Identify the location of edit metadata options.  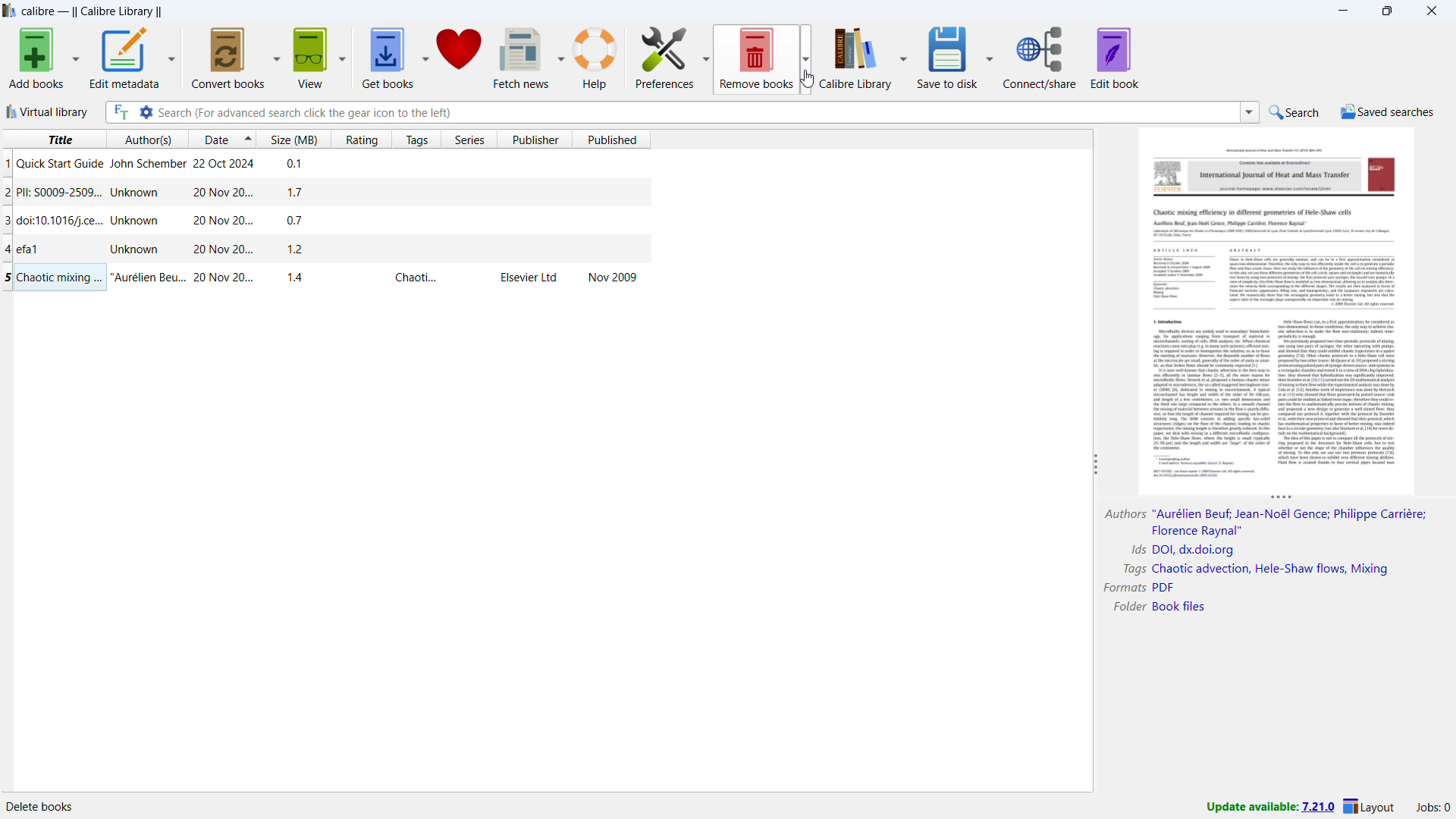
(171, 58).